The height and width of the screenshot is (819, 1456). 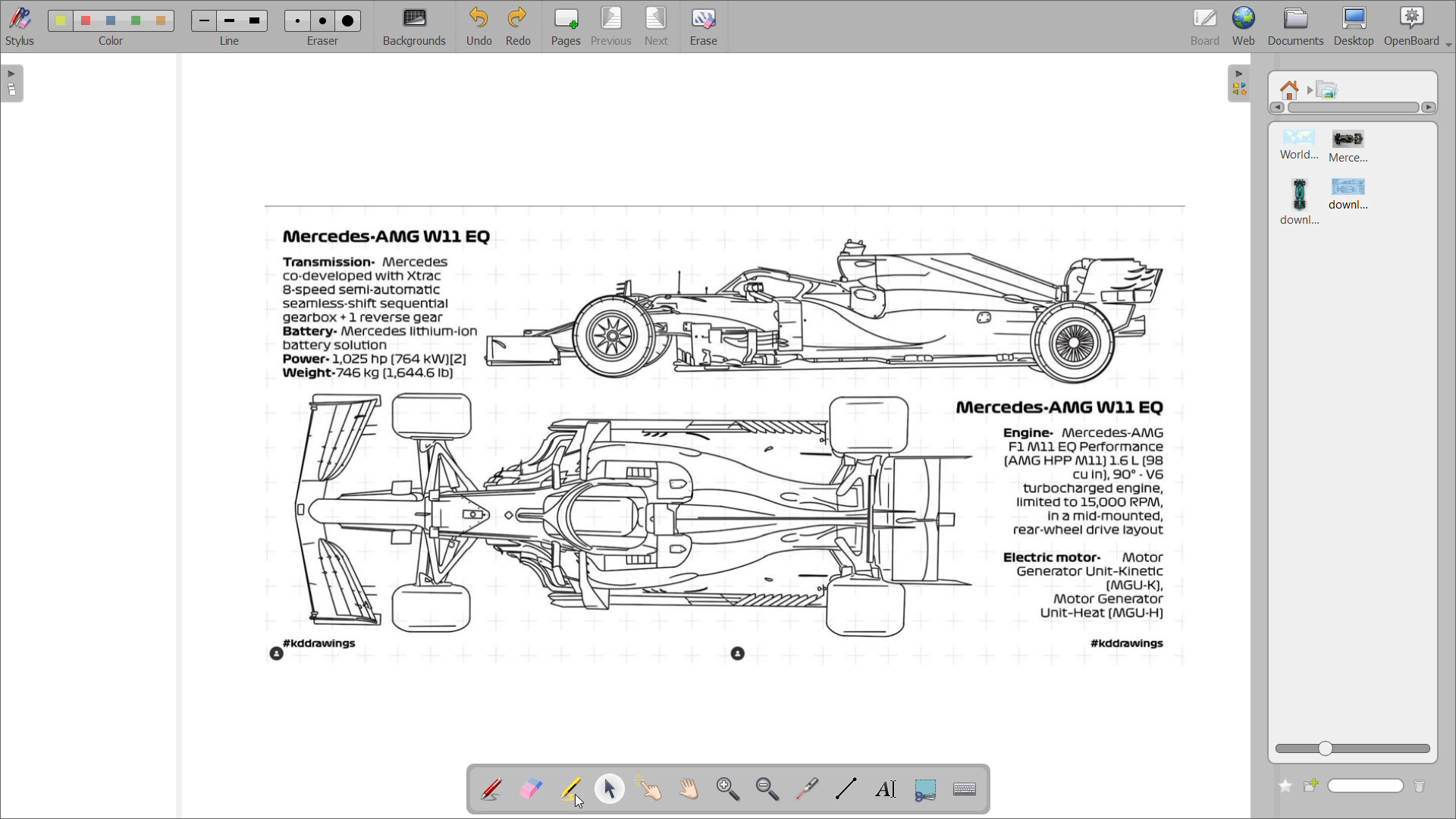 I want to click on color 5, so click(x=162, y=20).